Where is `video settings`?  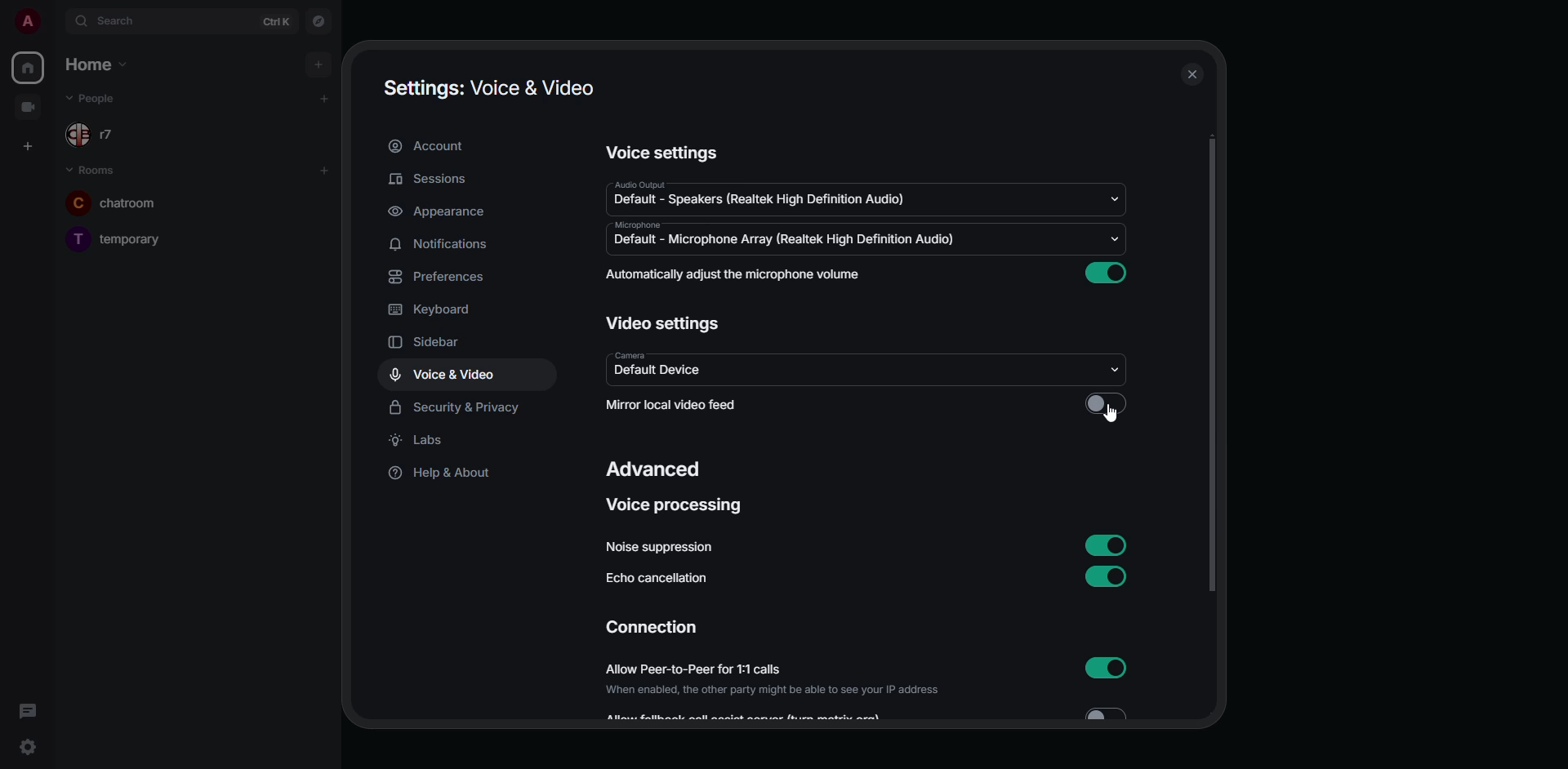 video settings is located at coordinates (665, 322).